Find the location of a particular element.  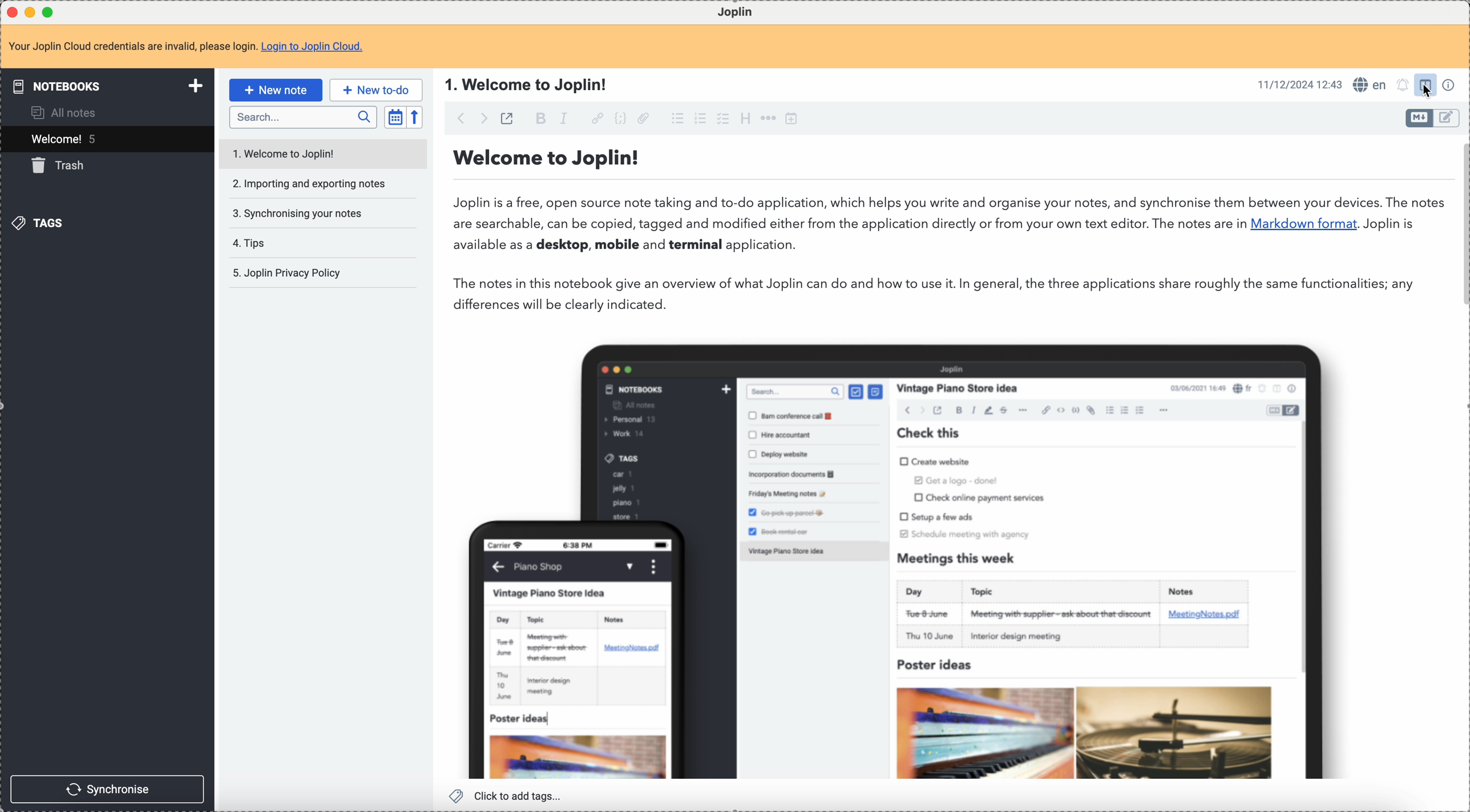

Welcome to Joplin! is located at coordinates (548, 159).